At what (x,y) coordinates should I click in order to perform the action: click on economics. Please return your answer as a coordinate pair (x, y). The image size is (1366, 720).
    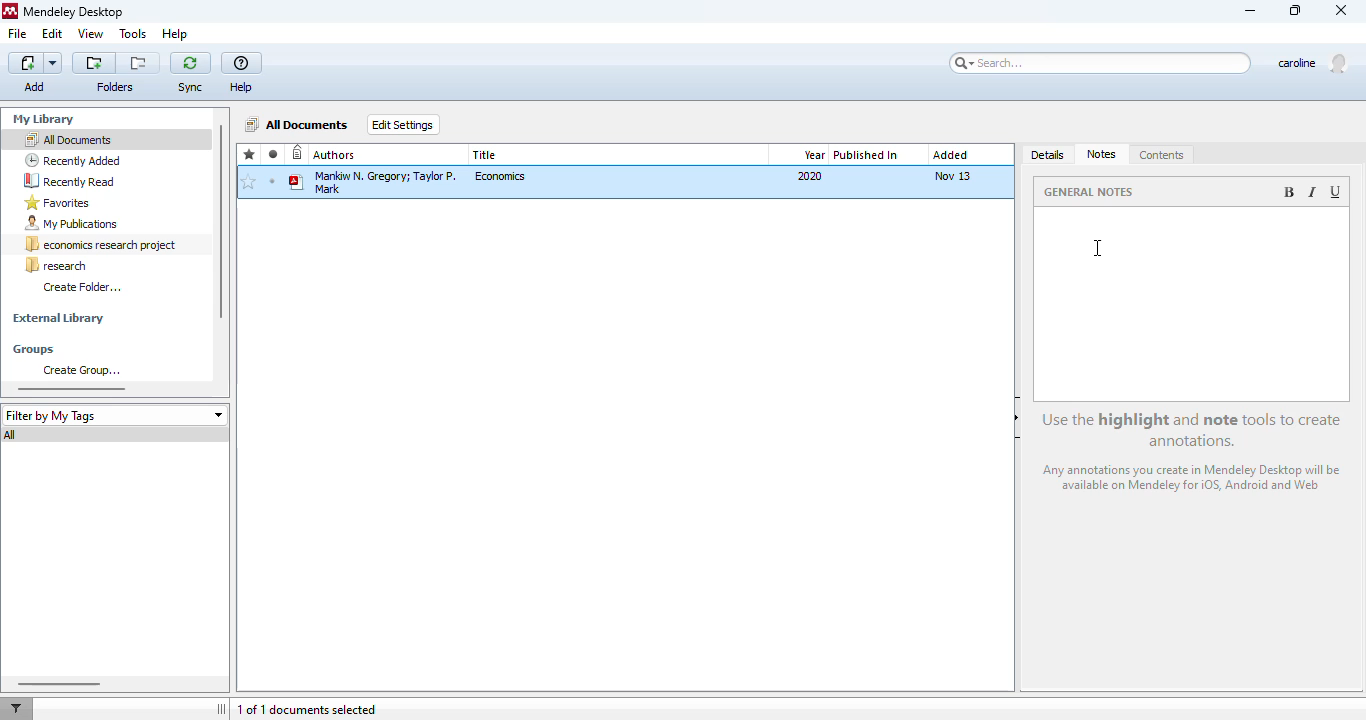
    Looking at the image, I should click on (502, 176).